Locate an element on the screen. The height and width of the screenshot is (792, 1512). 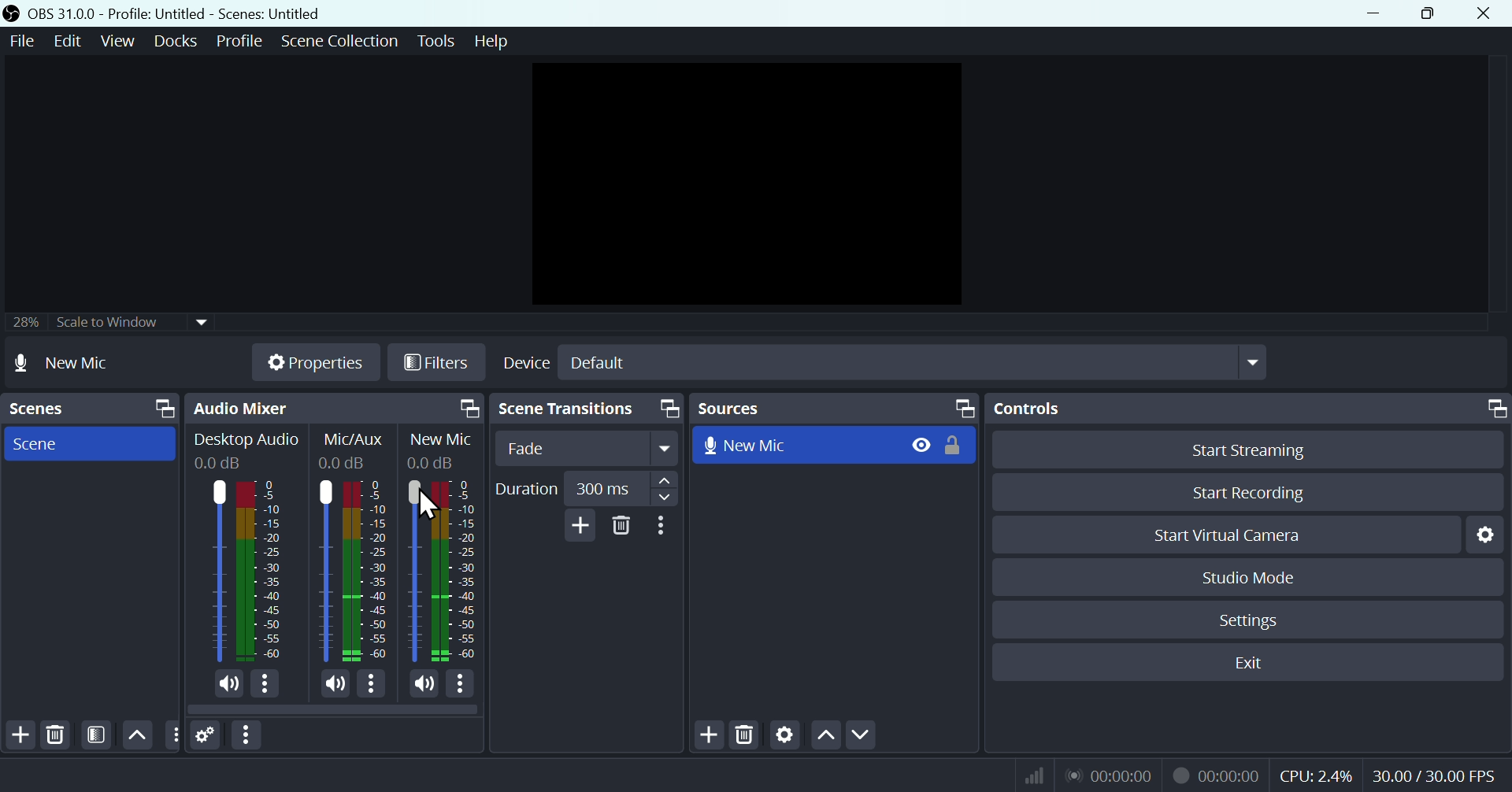
Add is located at coordinates (577, 525).